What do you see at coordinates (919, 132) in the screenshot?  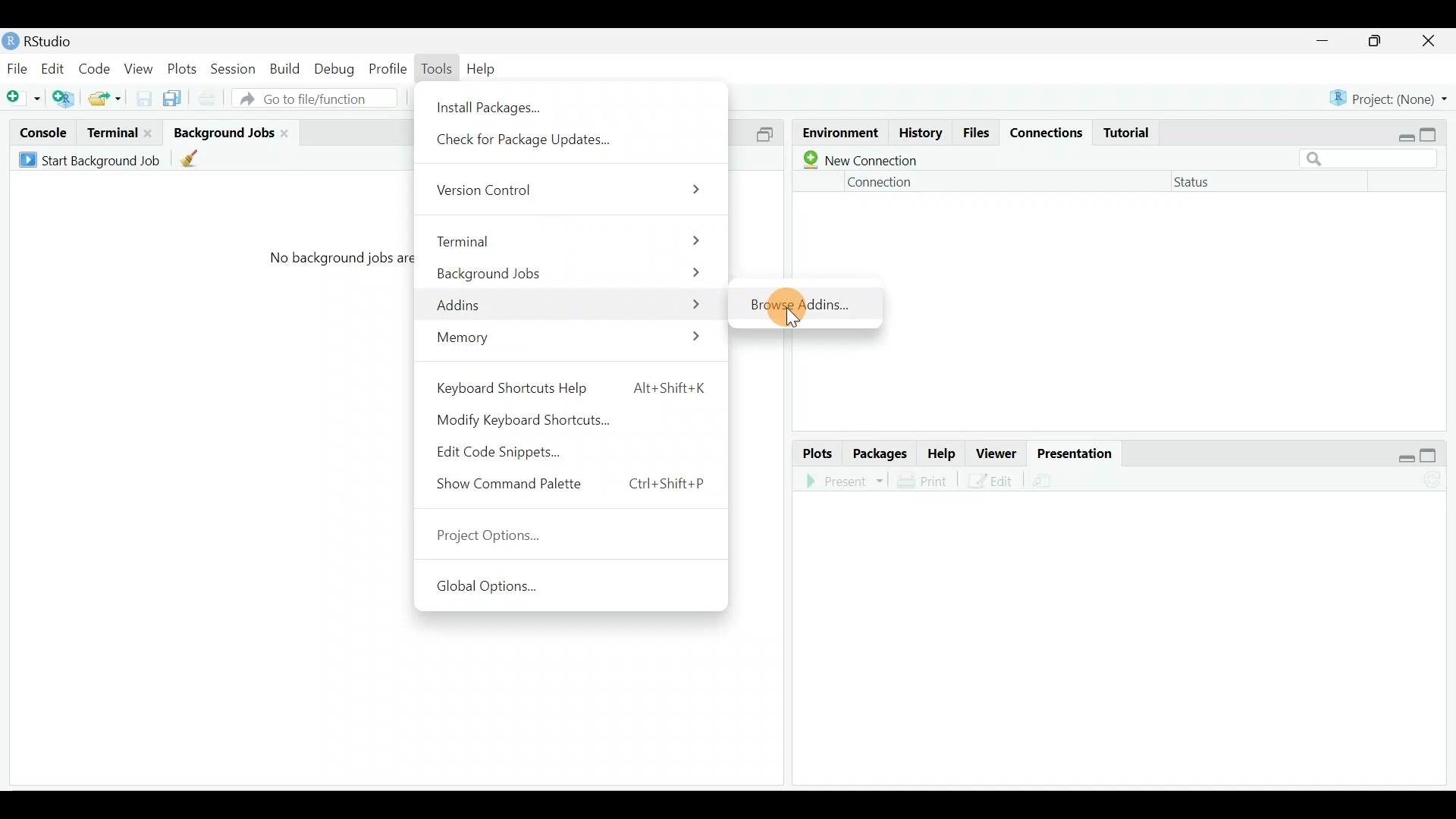 I see `History` at bounding box center [919, 132].